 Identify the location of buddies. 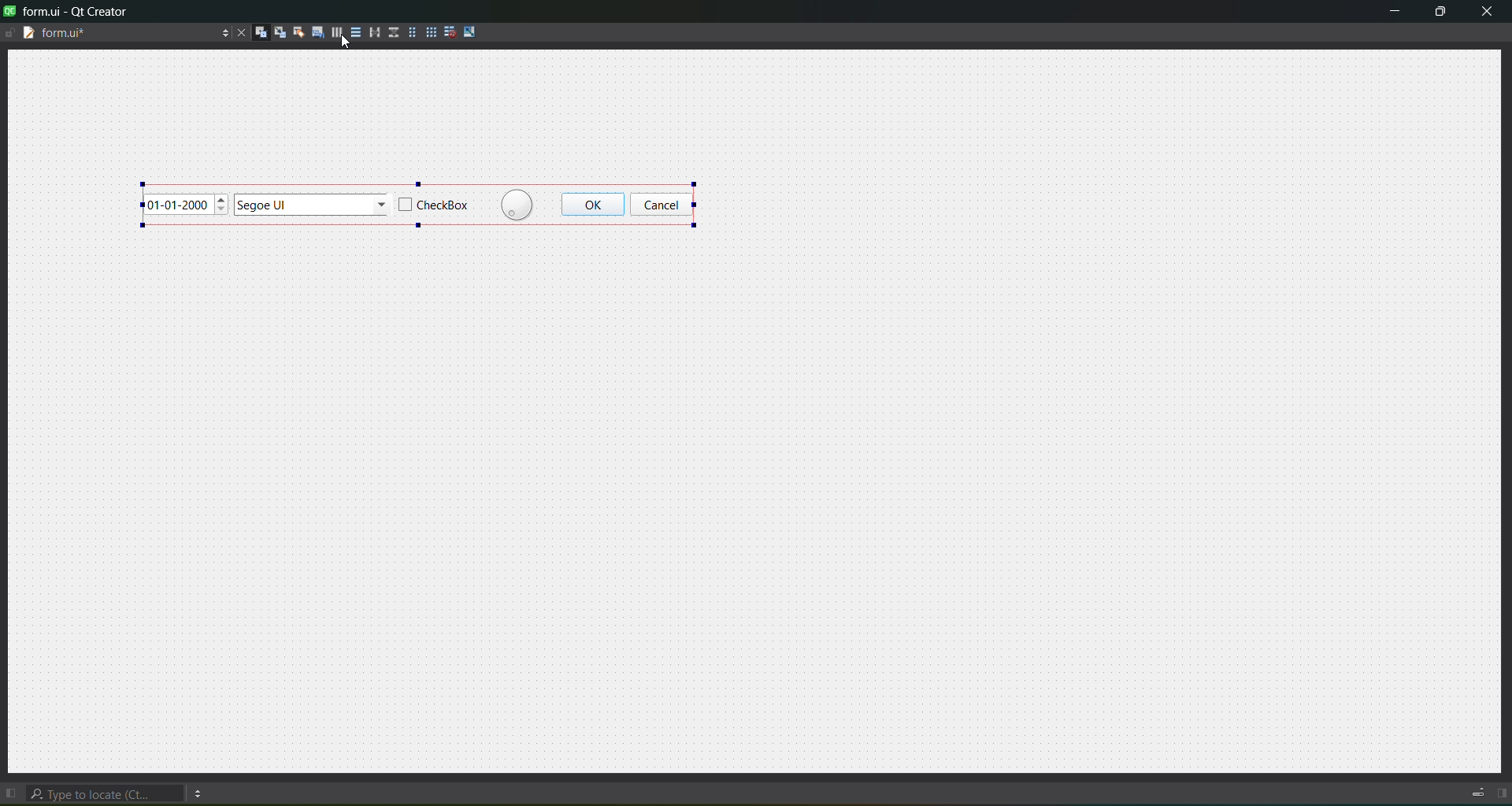
(295, 32).